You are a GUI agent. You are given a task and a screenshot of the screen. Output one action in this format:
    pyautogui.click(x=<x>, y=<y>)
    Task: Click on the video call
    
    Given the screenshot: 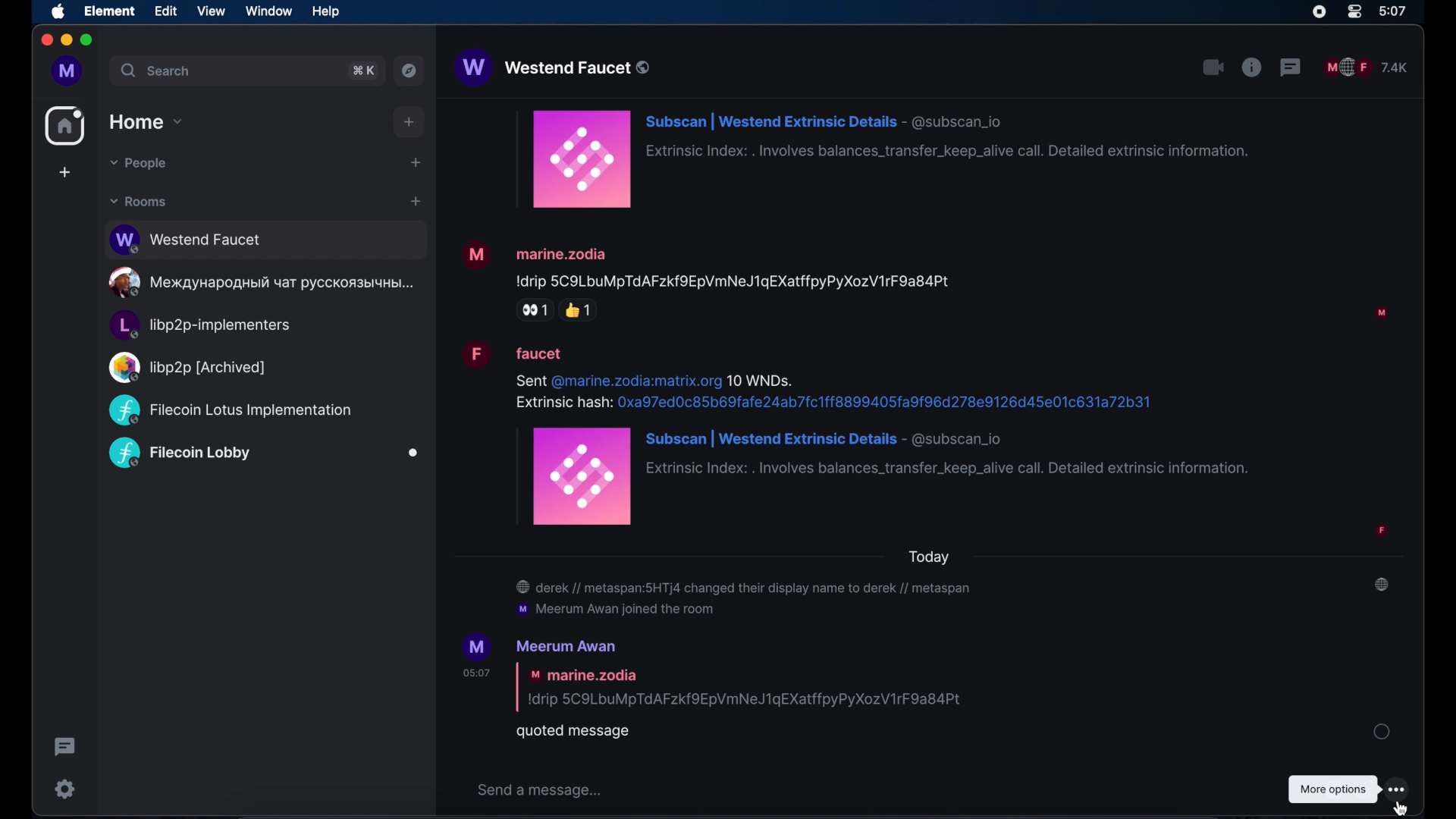 What is the action you would take?
    pyautogui.click(x=1213, y=67)
    